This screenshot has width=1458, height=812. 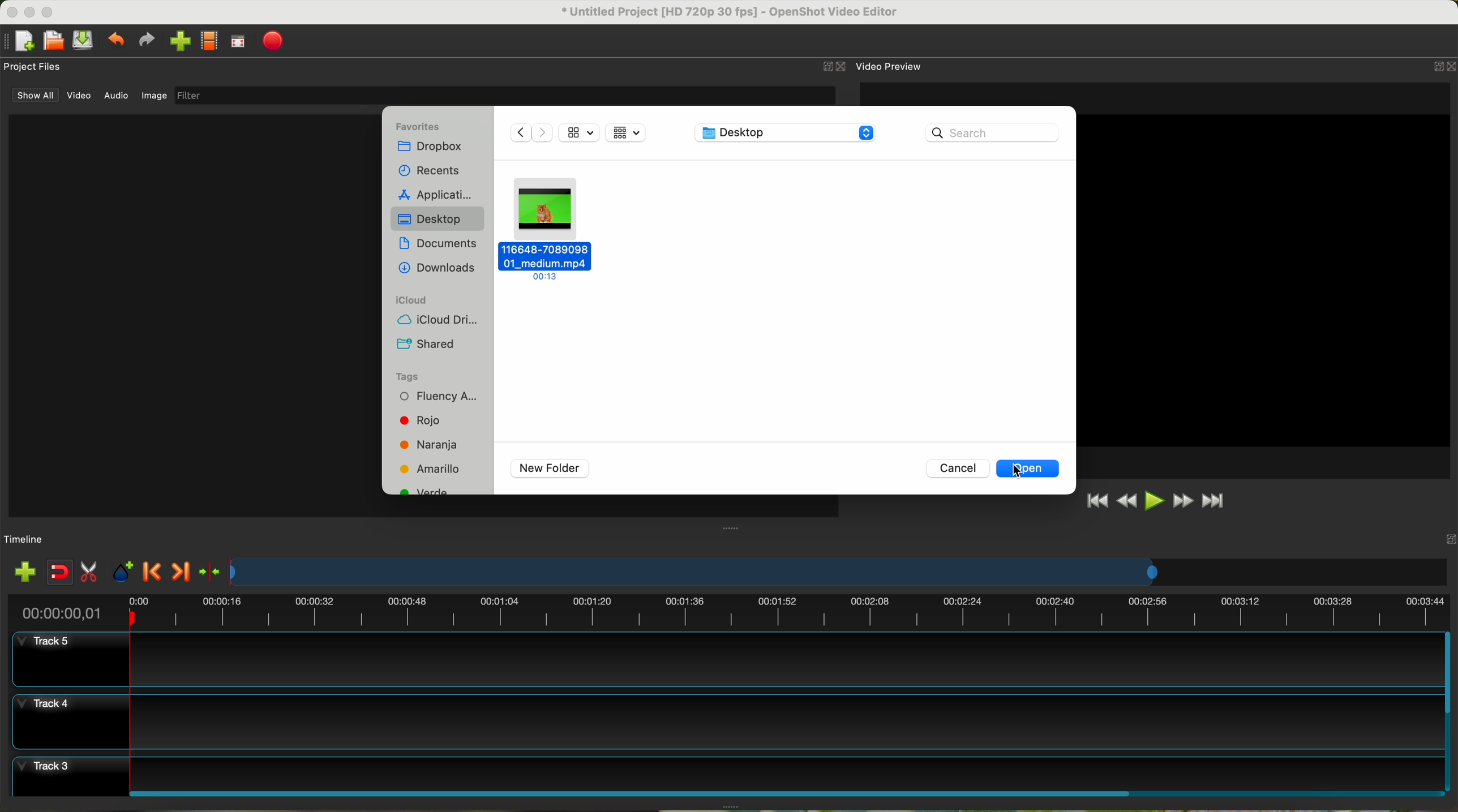 What do you see at coordinates (153, 572) in the screenshot?
I see `previous marker` at bounding box center [153, 572].